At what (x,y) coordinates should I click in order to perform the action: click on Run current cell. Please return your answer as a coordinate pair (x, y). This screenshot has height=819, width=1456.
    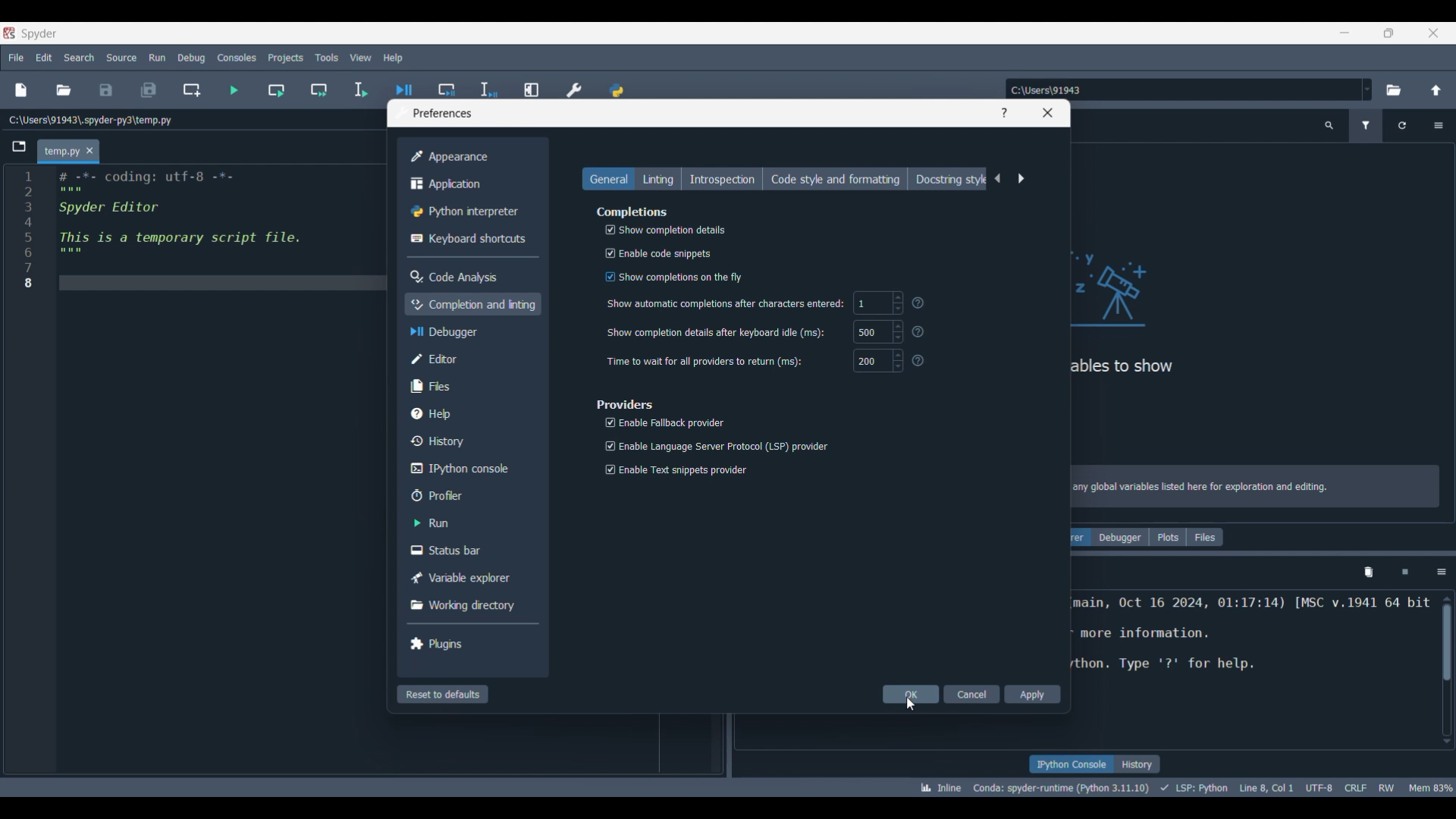
    Looking at the image, I should click on (277, 90).